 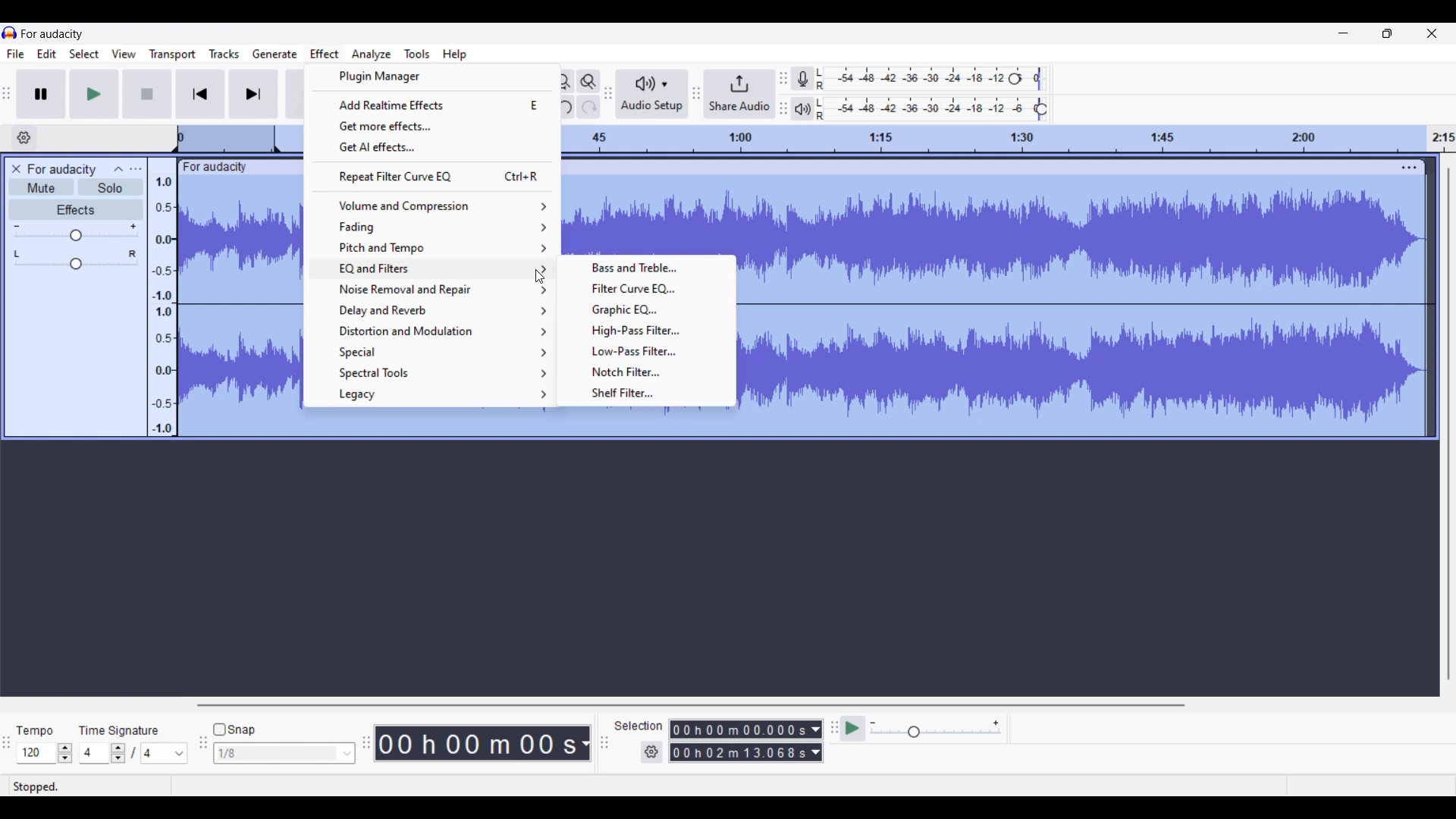 I want to click on Description of current selection, so click(x=275, y=787).